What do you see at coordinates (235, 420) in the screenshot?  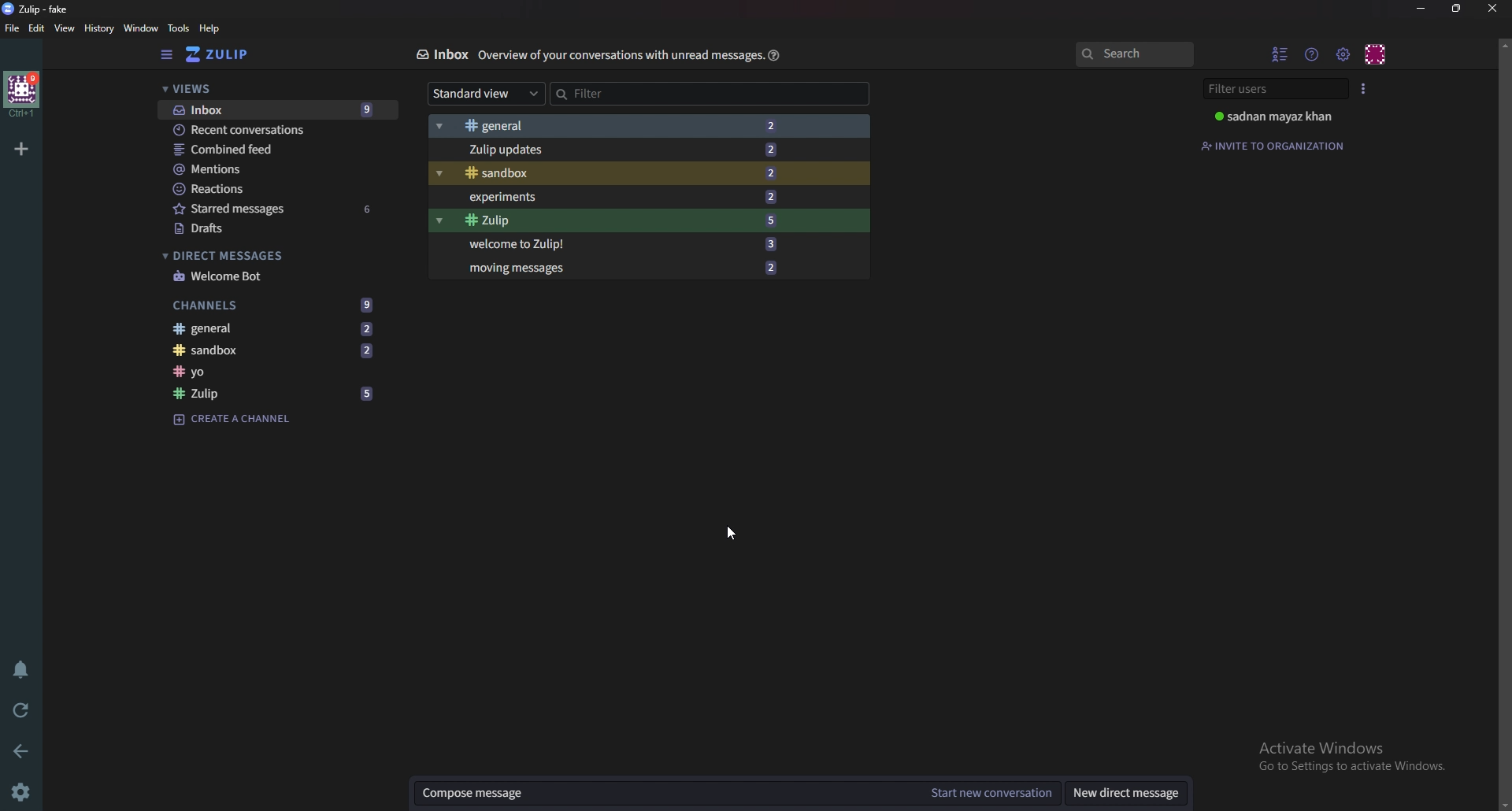 I see `Create a channel` at bounding box center [235, 420].